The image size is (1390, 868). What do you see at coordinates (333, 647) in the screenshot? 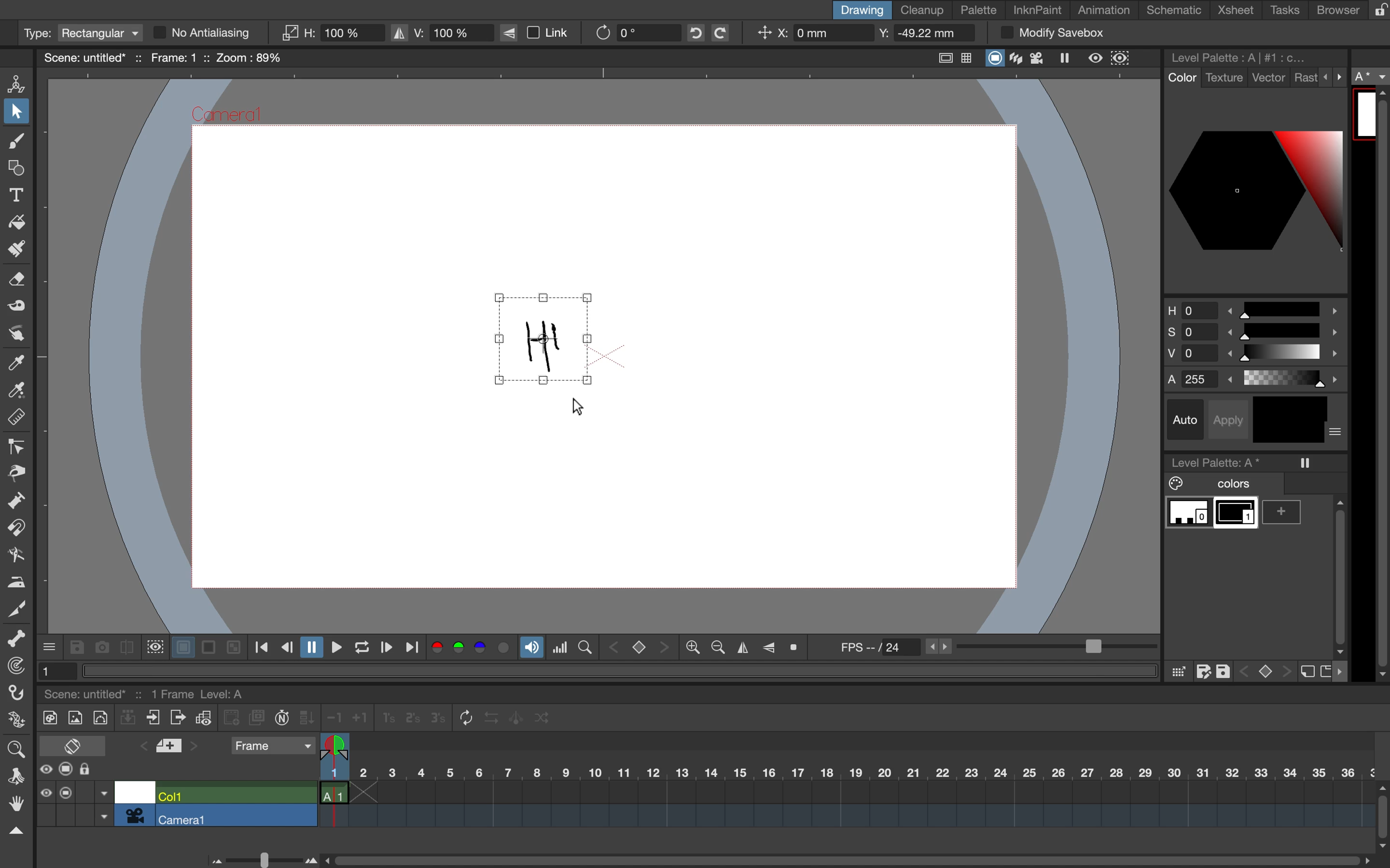
I see `play` at bounding box center [333, 647].